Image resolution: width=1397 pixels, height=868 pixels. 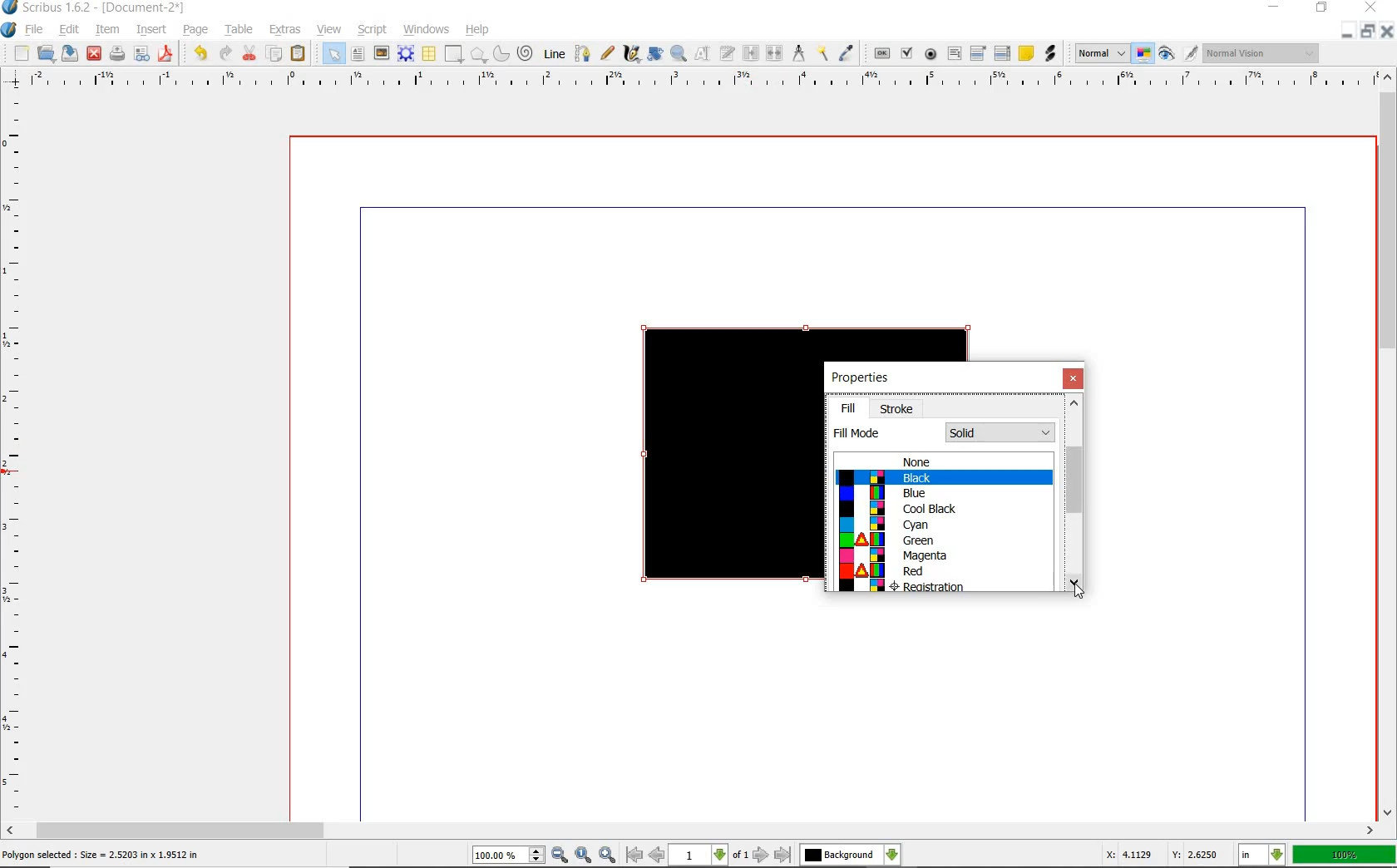 I want to click on zoom in, so click(x=607, y=853).